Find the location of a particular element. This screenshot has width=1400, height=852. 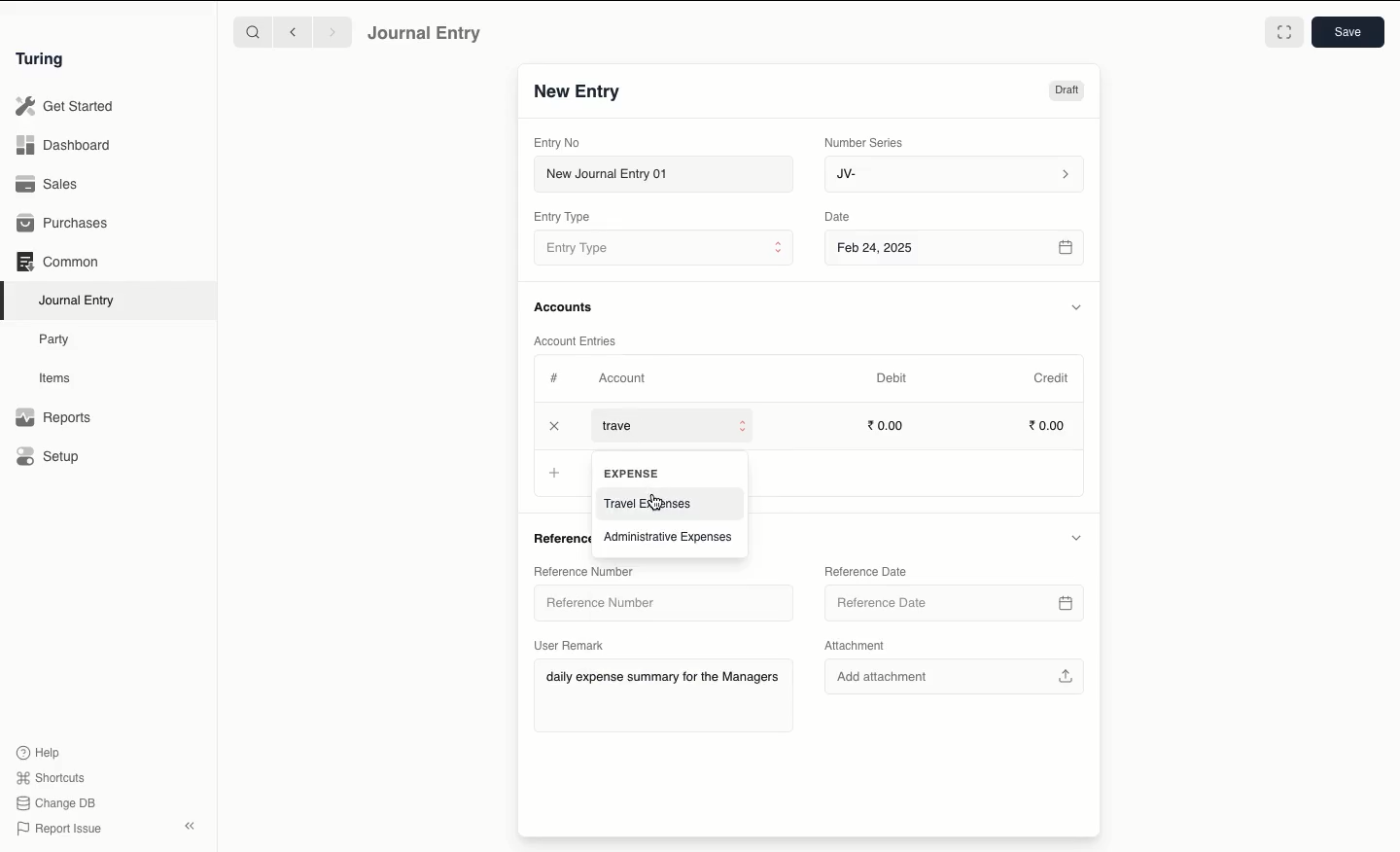

Attachment is located at coordinates (858, 644).